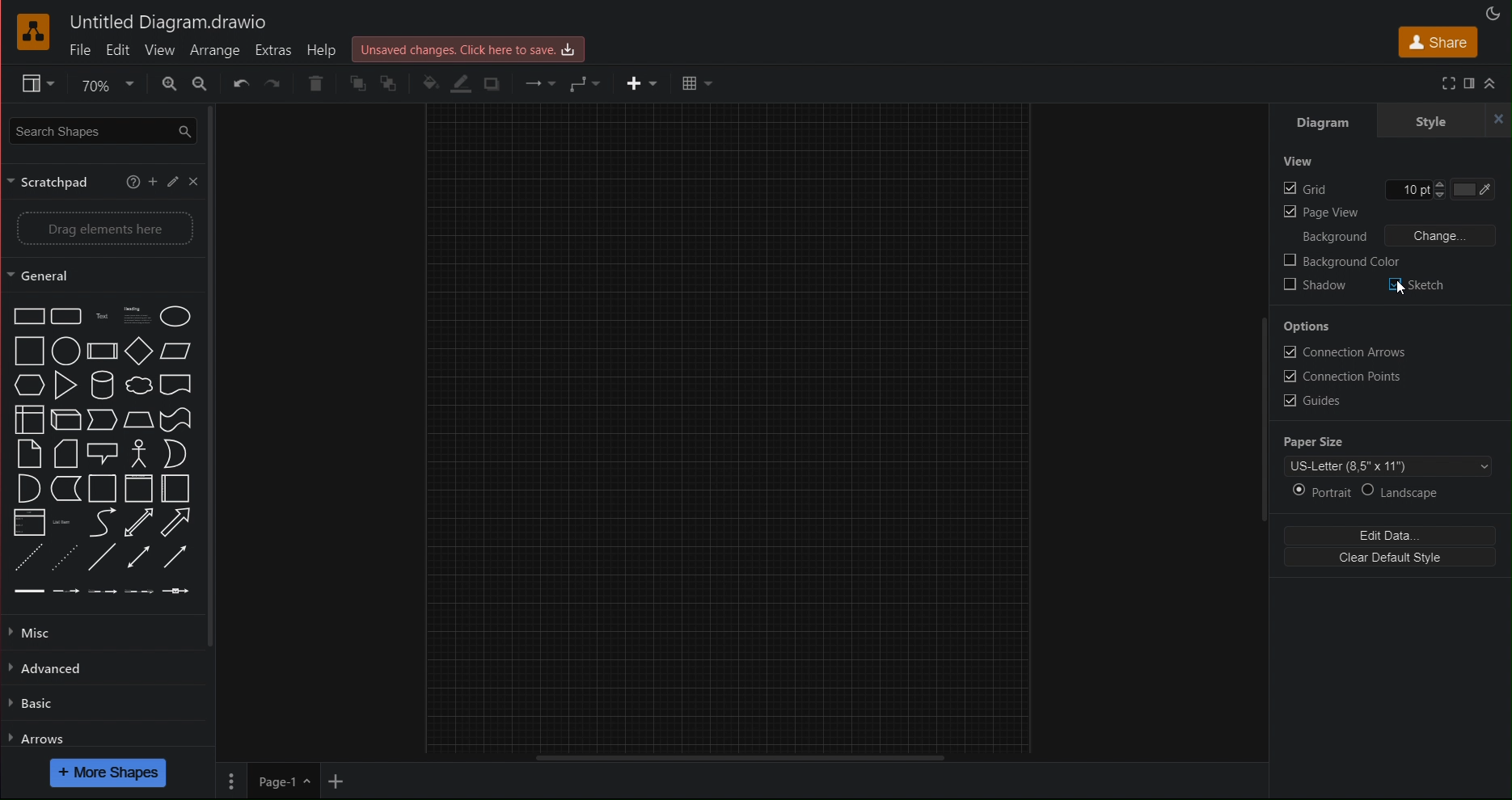  Describe the element at coordinates (1320, 284) in the screenshot. I see `Shadow` at that location.